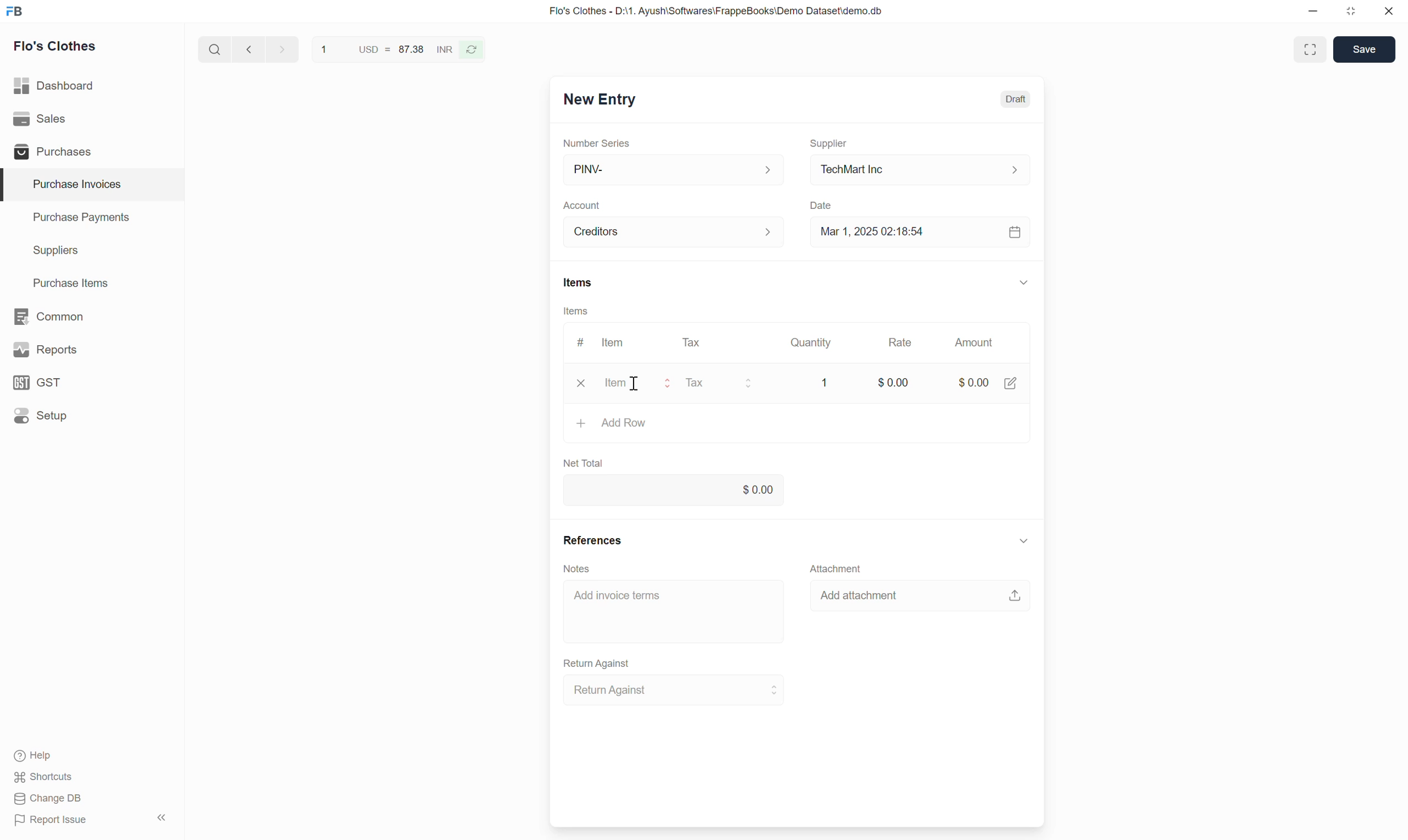 This screenshot has height=840, width=1408. What do you see at coordinates (1024, 282) in the screenshot?
I see `Collapse` at bounding box center [1024, 282].